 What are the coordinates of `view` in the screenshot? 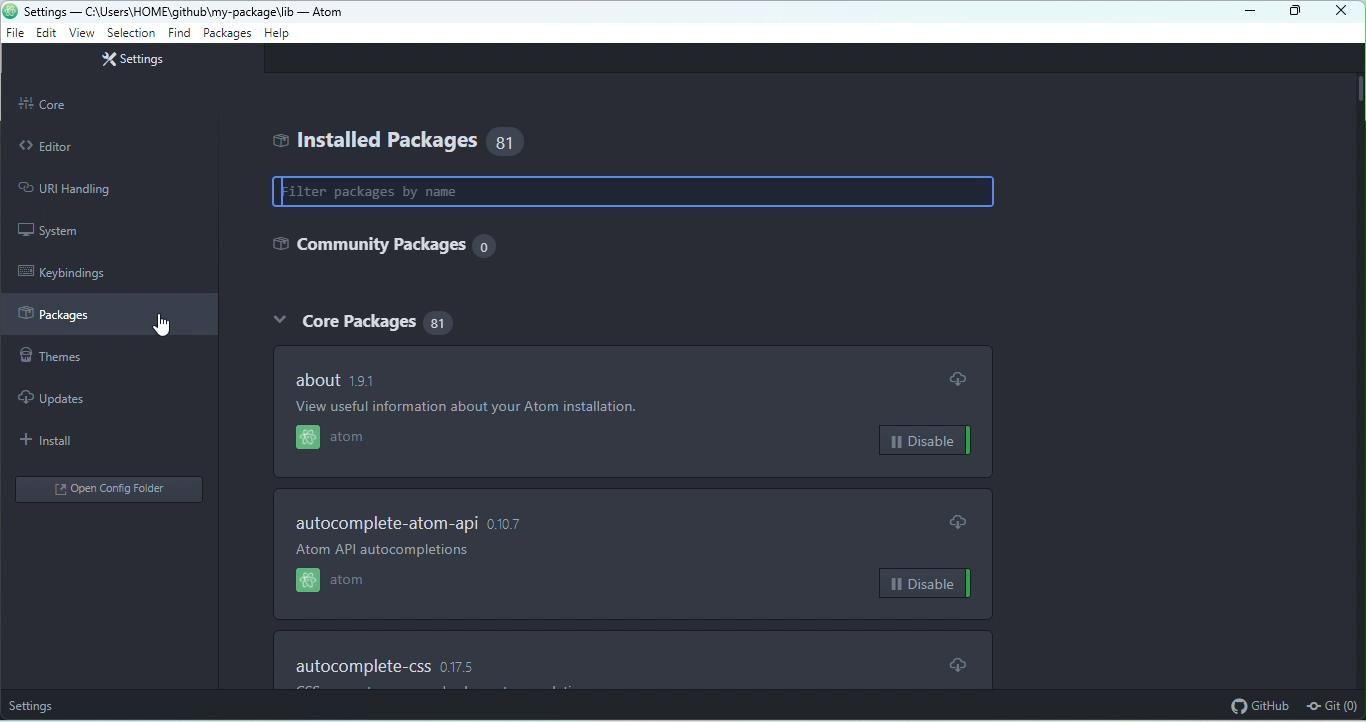 It's located at (79, 33).